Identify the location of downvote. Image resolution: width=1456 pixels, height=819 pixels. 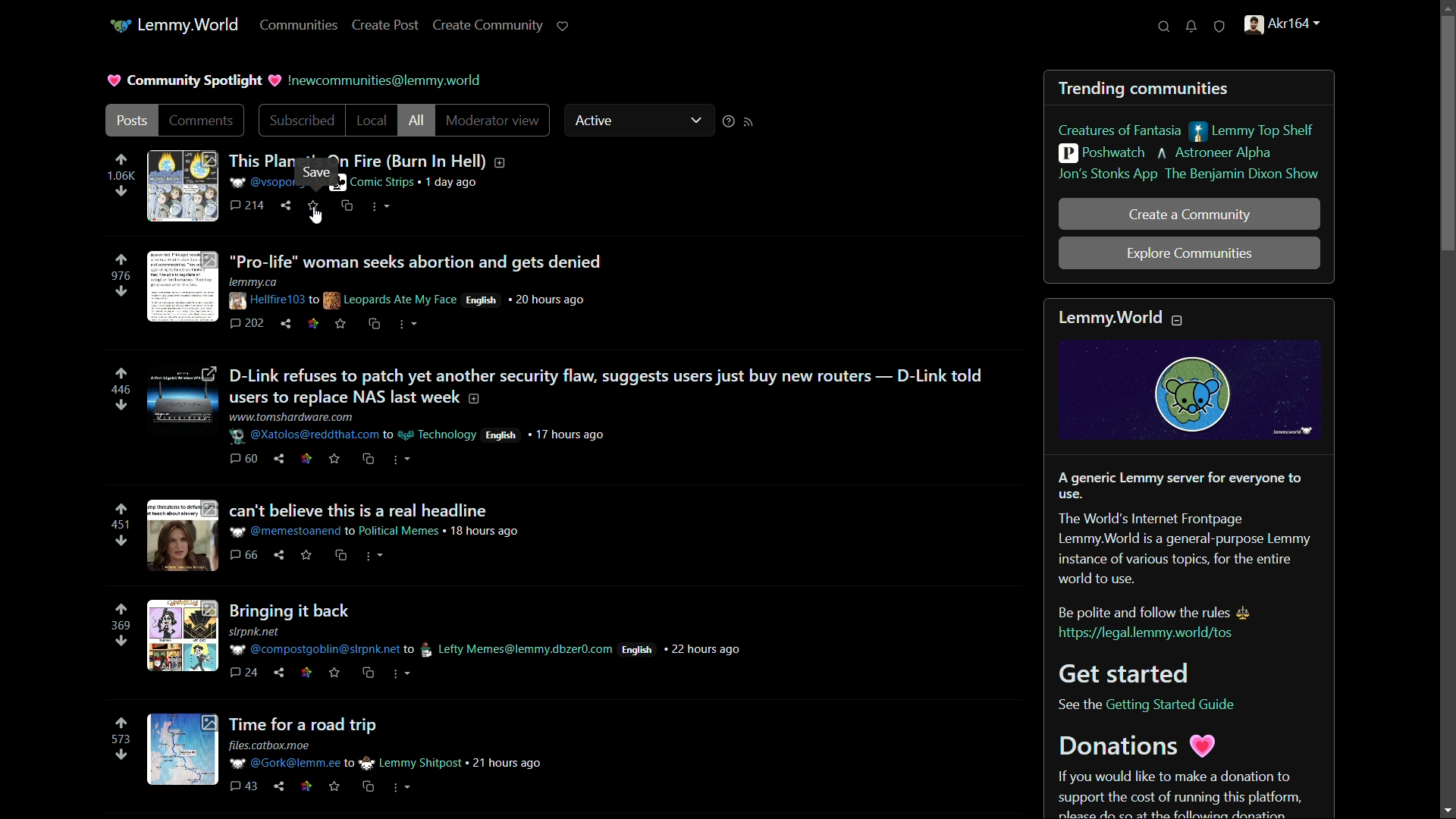
(121, 641).